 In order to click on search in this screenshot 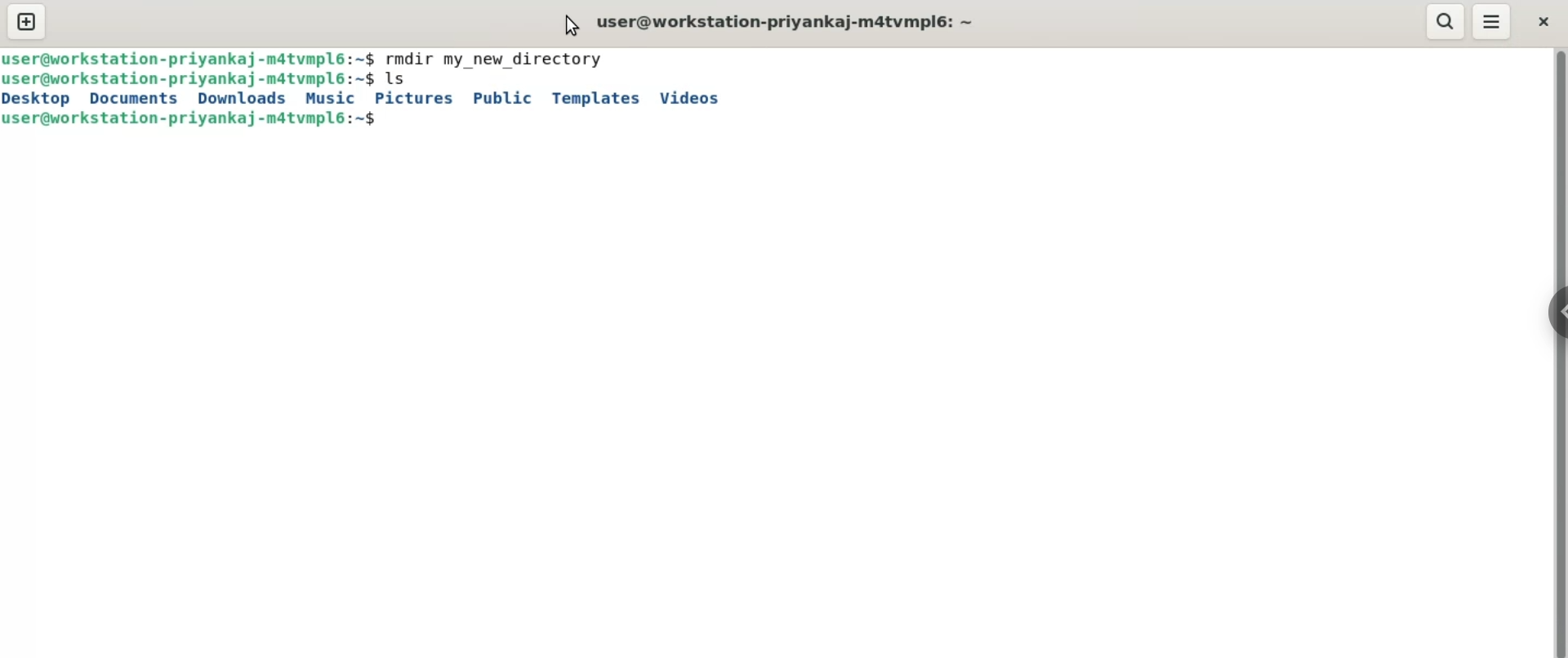, I will do `click(1444, 21)`.